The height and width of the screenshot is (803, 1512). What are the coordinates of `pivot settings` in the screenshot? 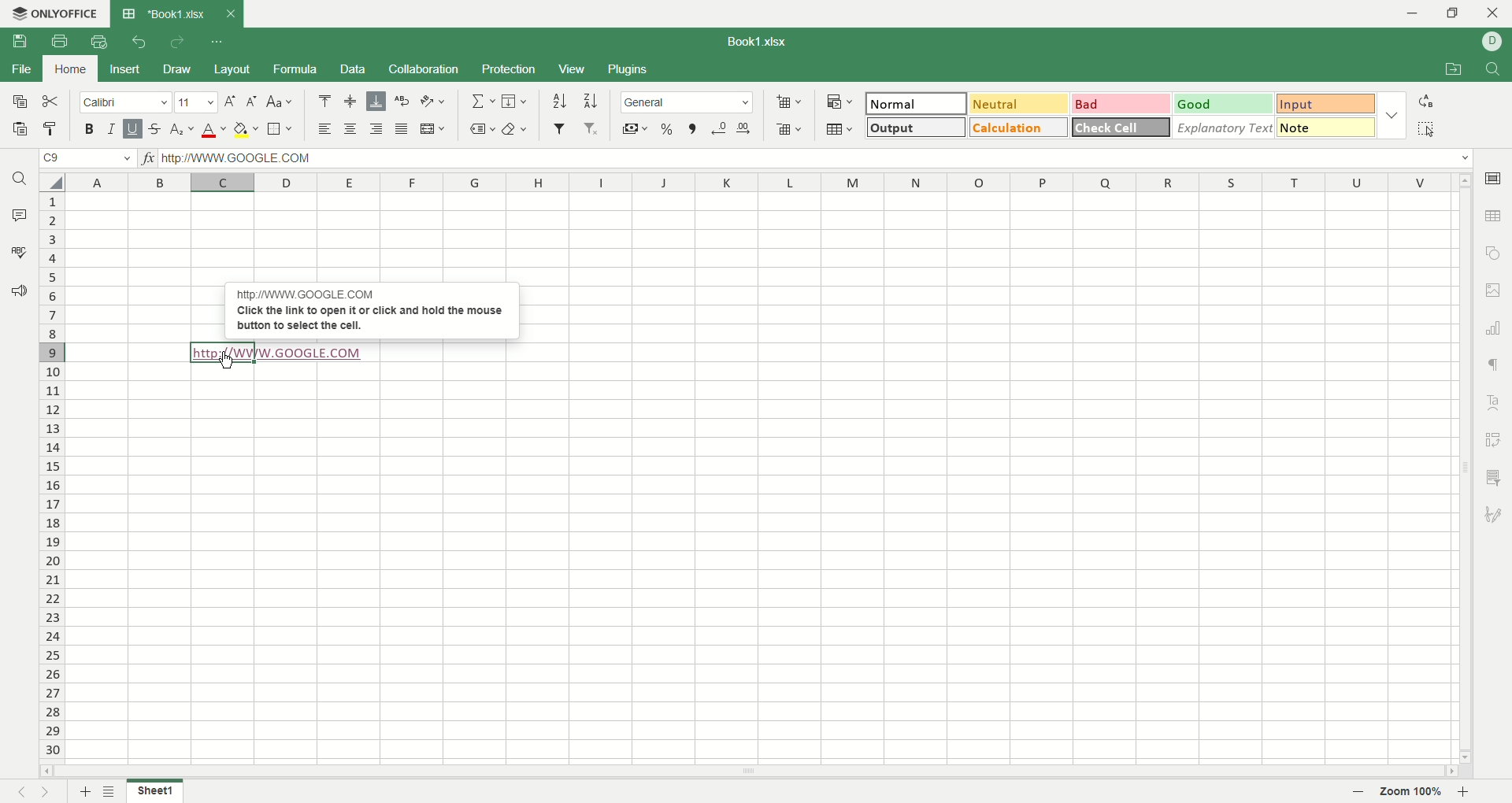 It's located at (1493, 437).